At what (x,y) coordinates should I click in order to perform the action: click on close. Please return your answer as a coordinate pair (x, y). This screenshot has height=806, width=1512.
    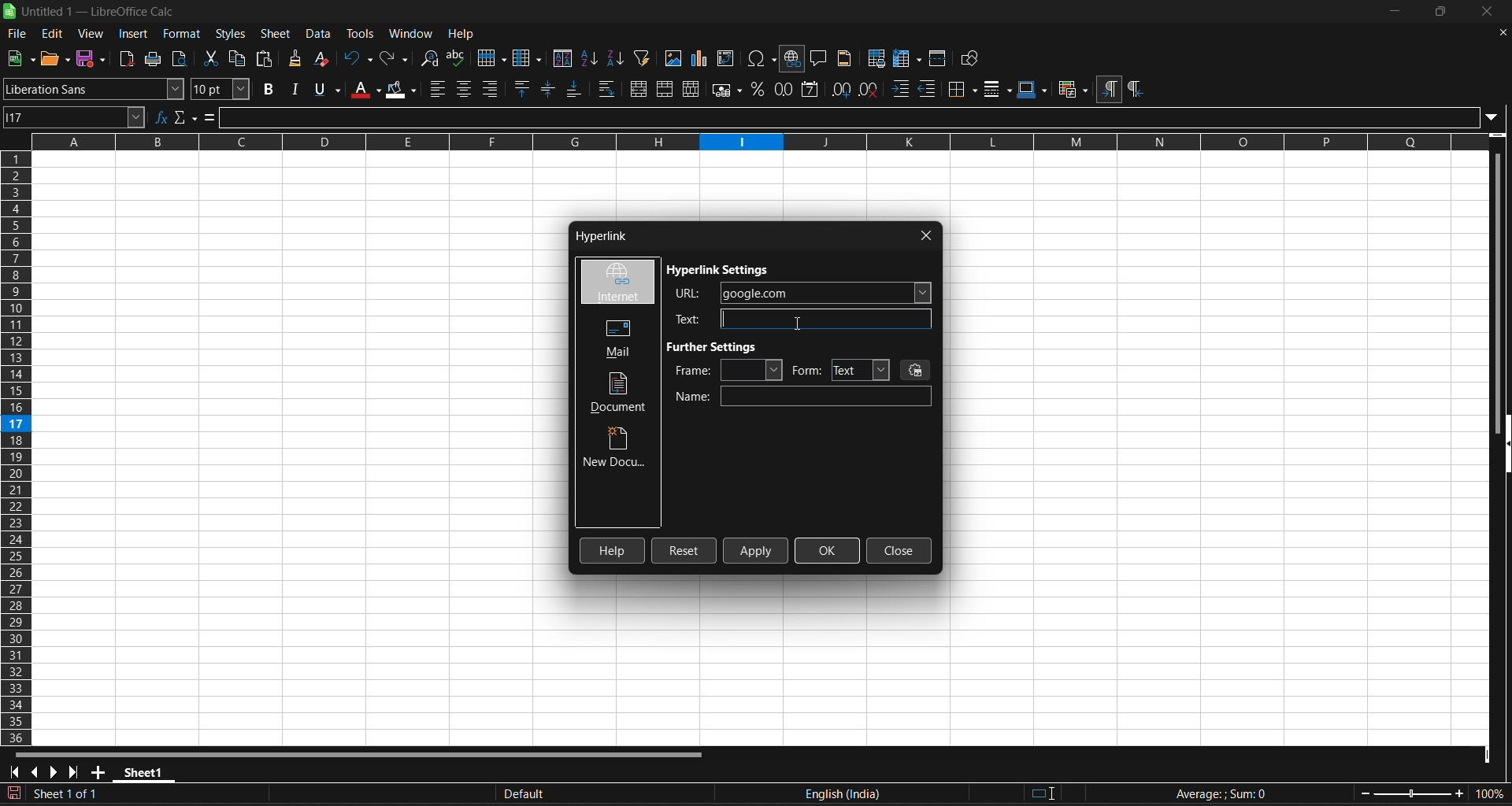
    Looking at the image, I should click on (1484, 11).